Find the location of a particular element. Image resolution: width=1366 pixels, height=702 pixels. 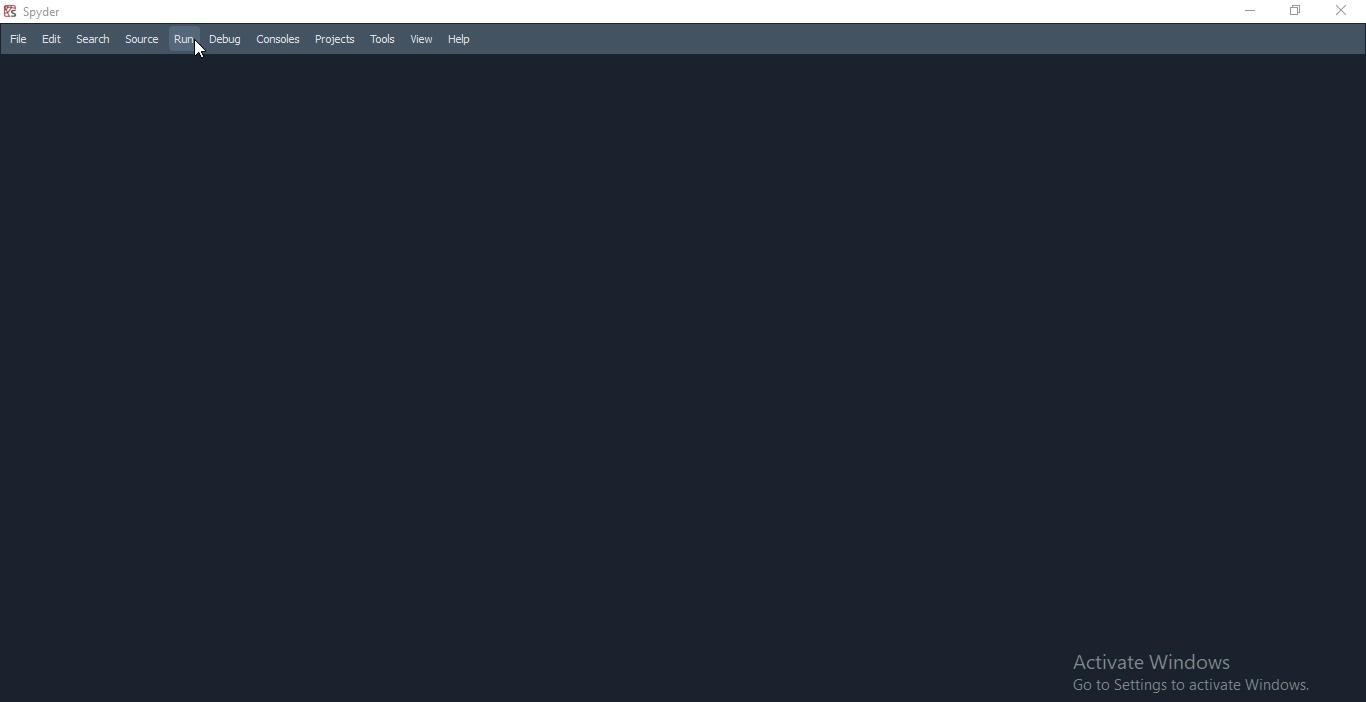

Activate Windows
Go to Settings to activate Windows. is located at coordinates (1177, 673).